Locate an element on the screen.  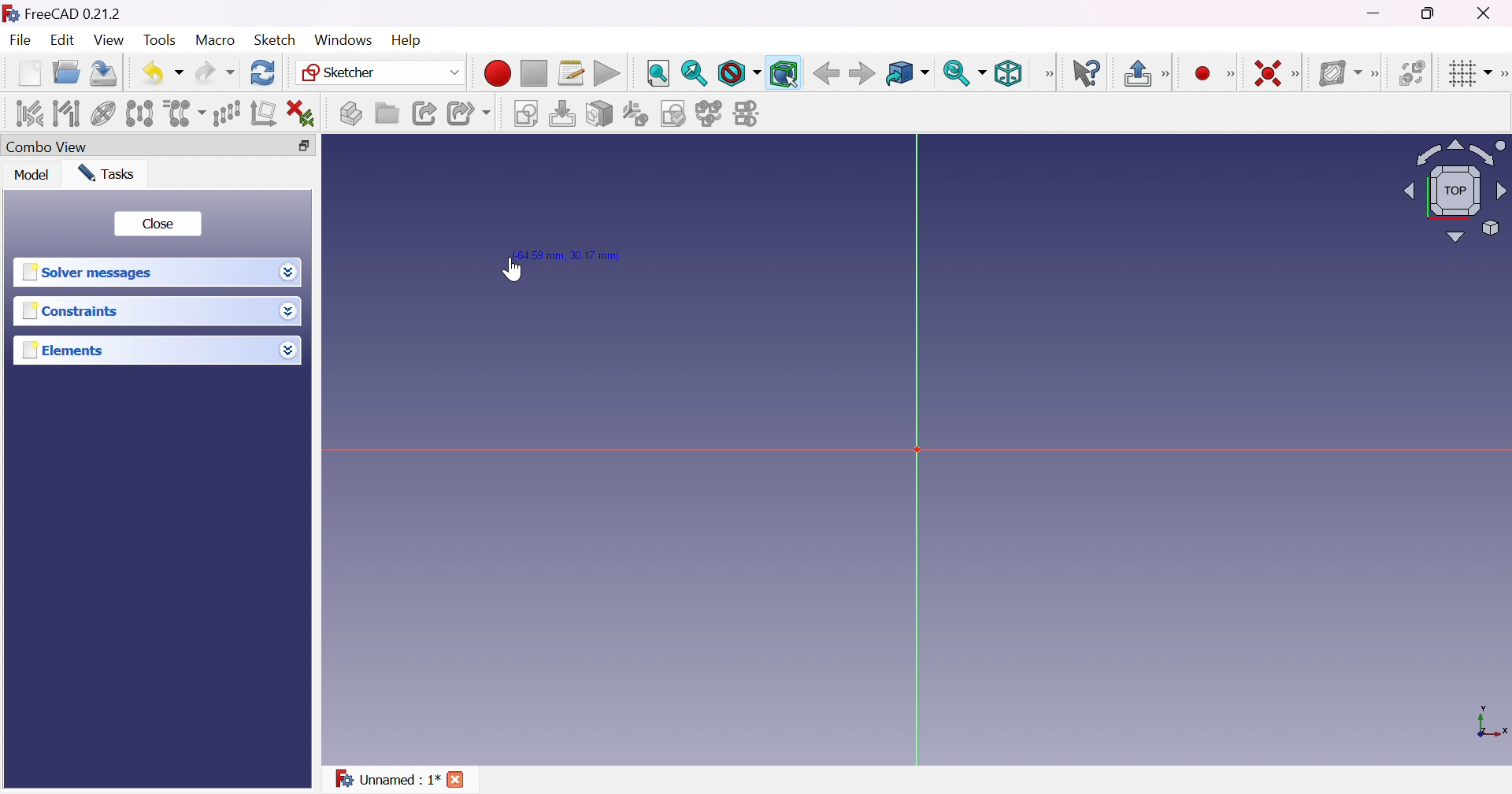
View is located at coordinates (109, 39).